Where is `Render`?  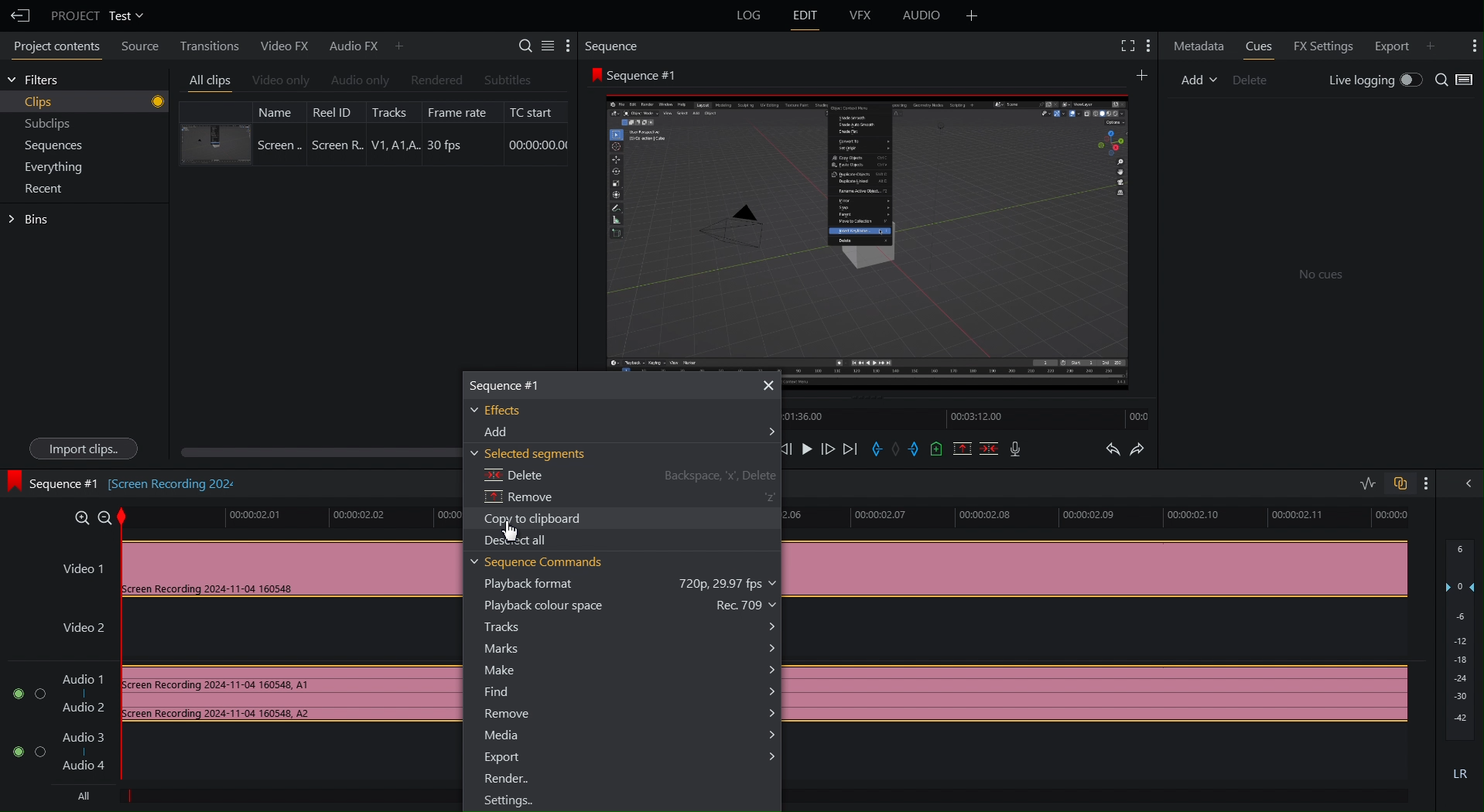
Render is located at coordinates (506, 780).